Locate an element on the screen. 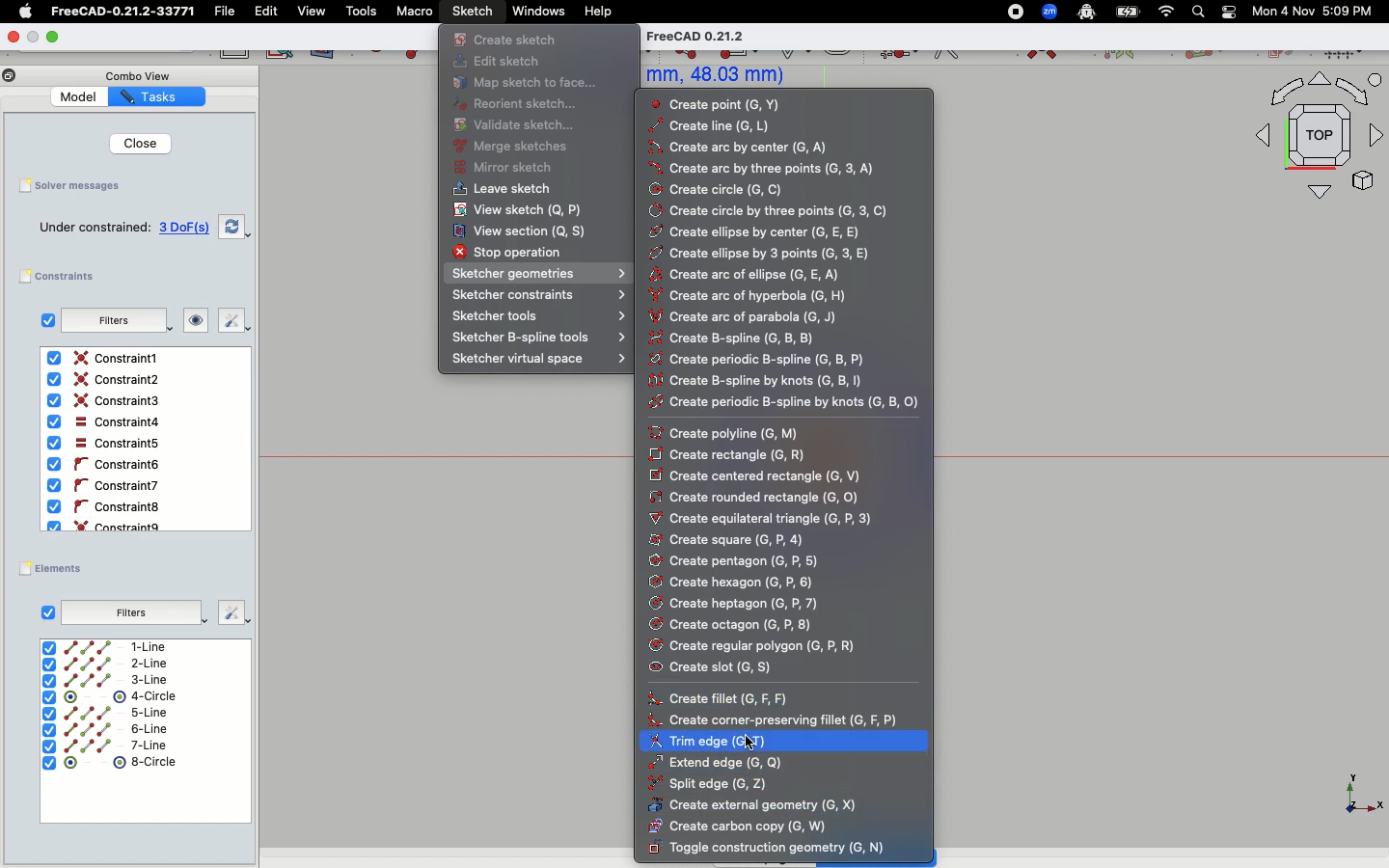  Robot is located at coordinates (1086, 14).